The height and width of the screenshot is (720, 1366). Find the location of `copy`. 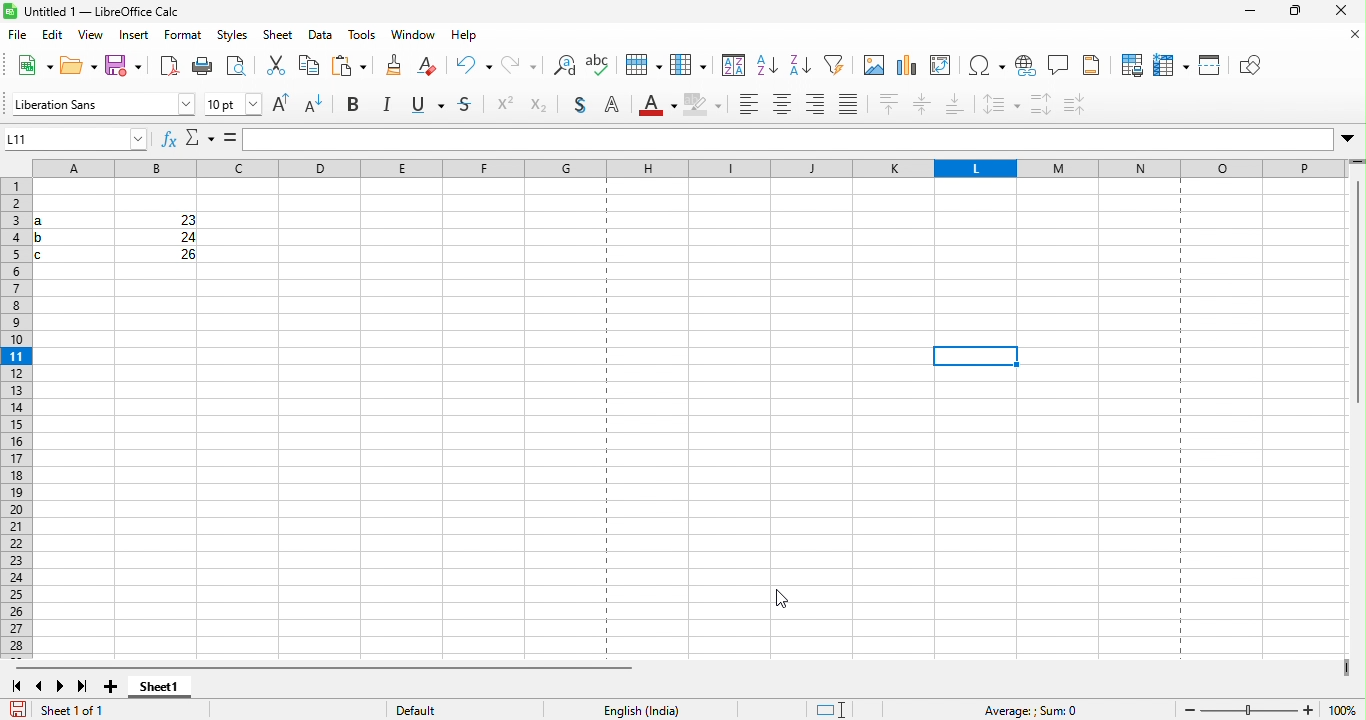

copy is located at coordinates (276, 67).